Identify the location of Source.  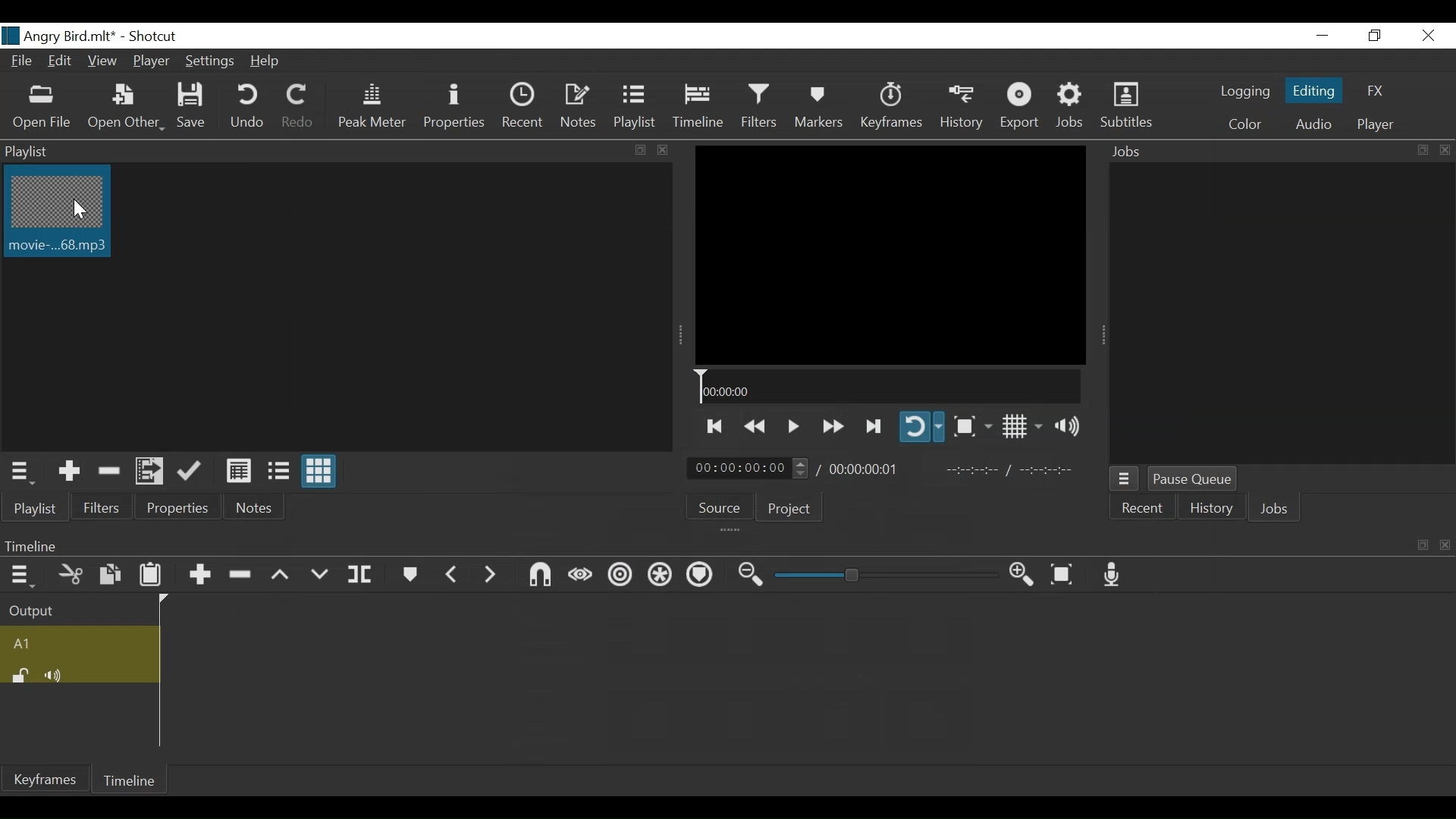
(722, 507).